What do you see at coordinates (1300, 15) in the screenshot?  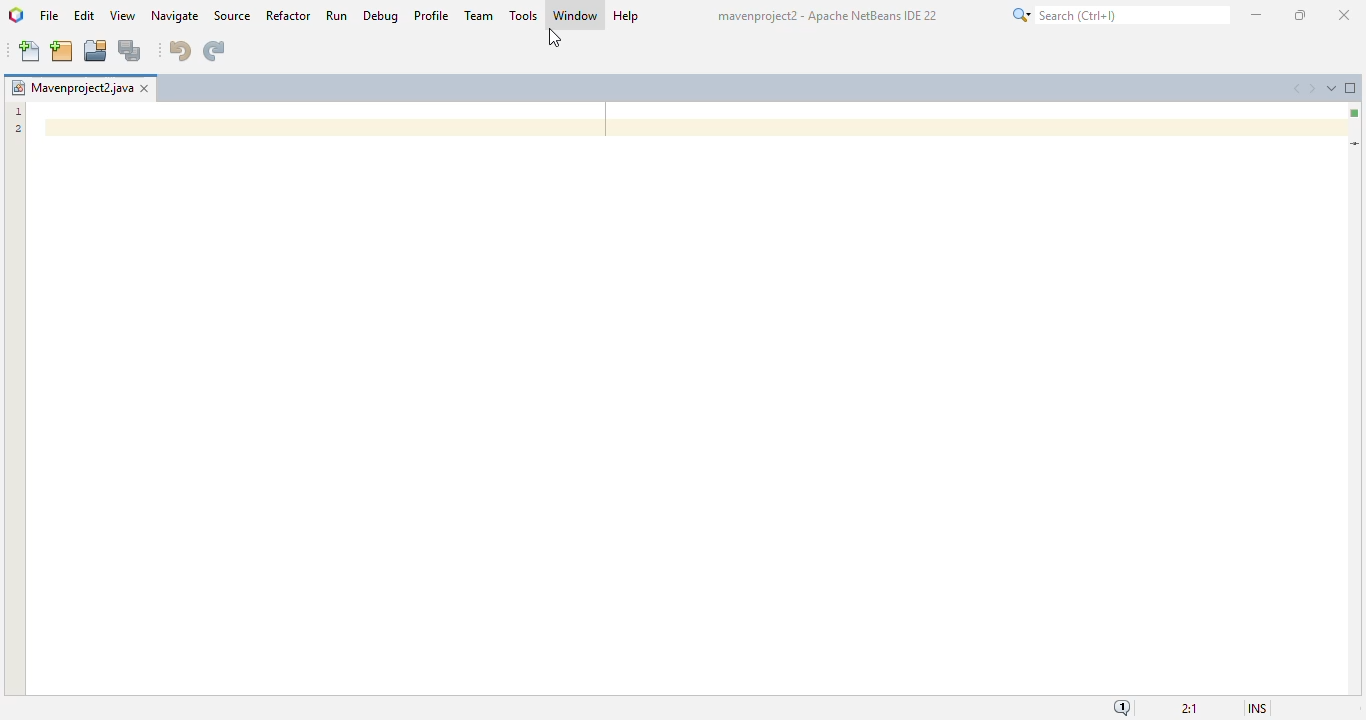 I see `maximize` at bounding box center [1300, 15].